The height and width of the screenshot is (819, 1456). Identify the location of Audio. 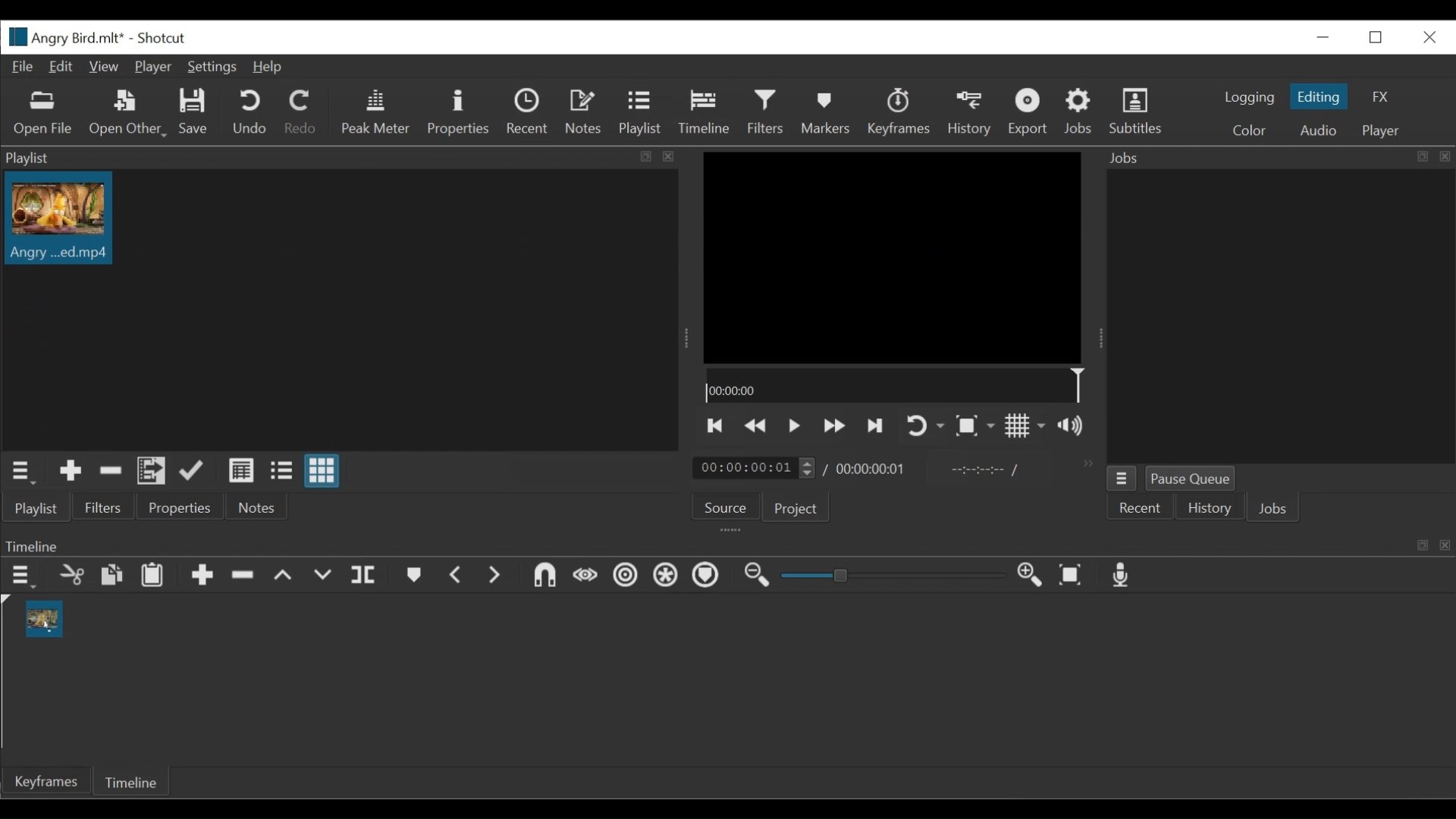
(1313, 130).